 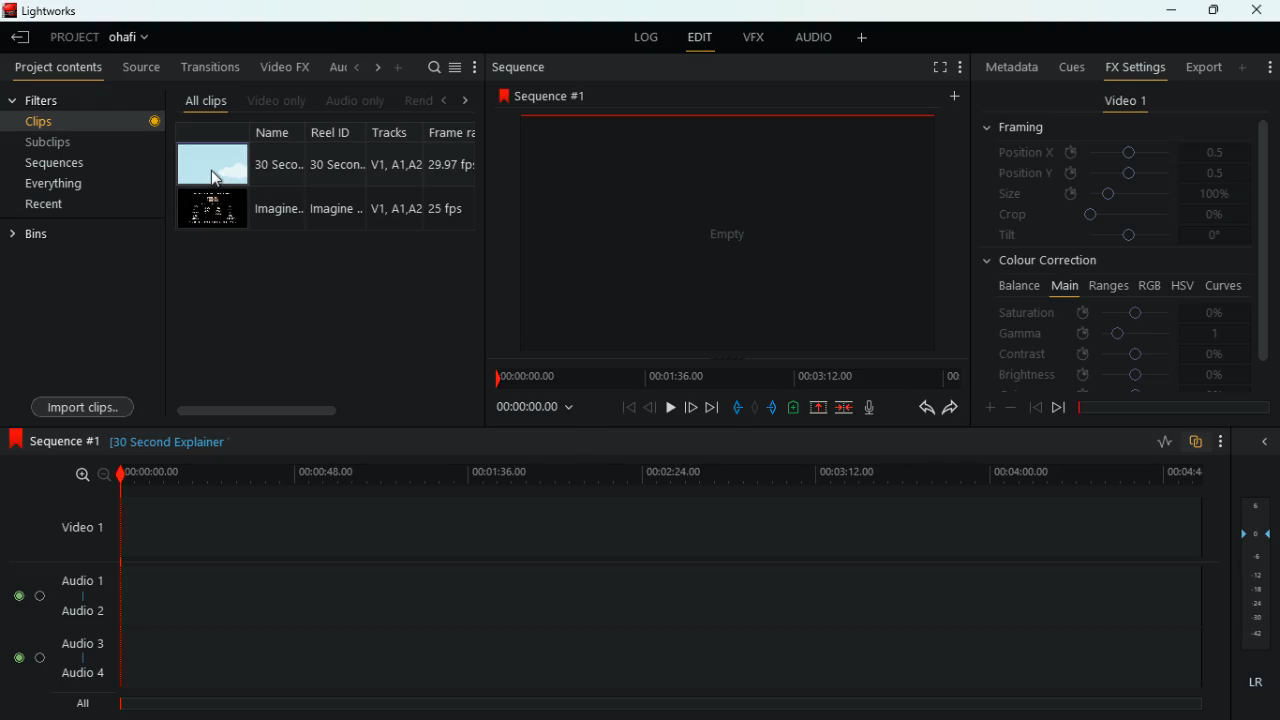 I want to click on left, so click(x=354, y=67).